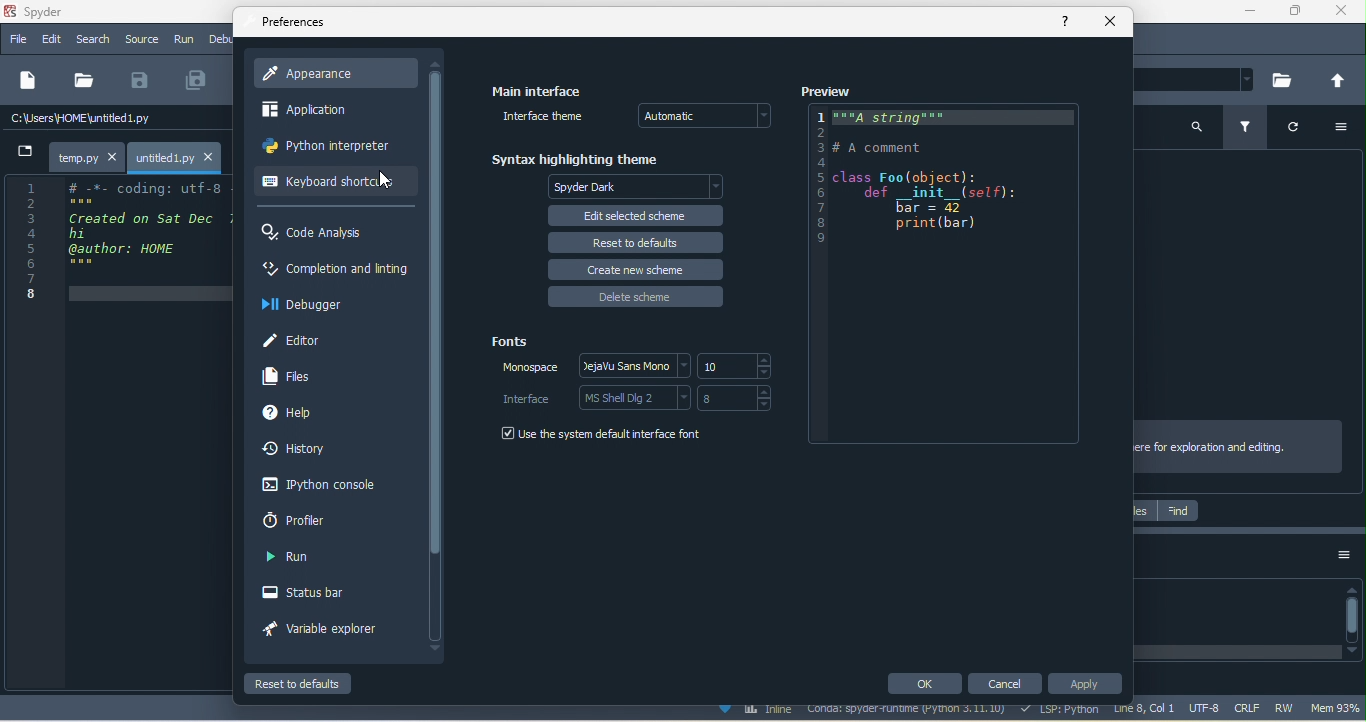 This screenshot has width=1366, height=722. I want to click on syntax highlighting theme, so click(578, 156).